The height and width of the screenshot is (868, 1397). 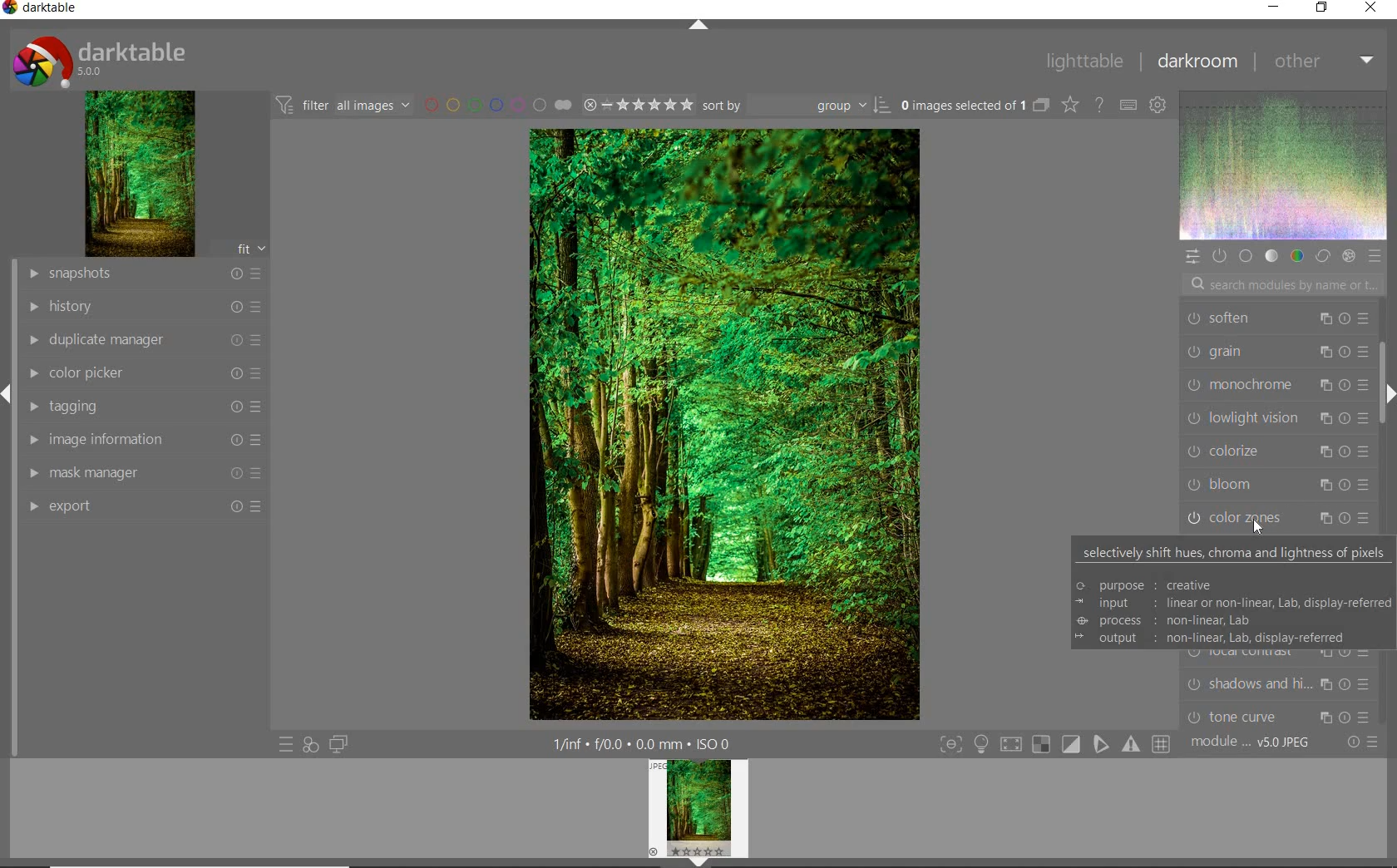 What do you see at coordinates (1159, 104) in the screenshot?
I see `SHOW GLOBAL PREFERENCE` at bounding box center [1159, 104].